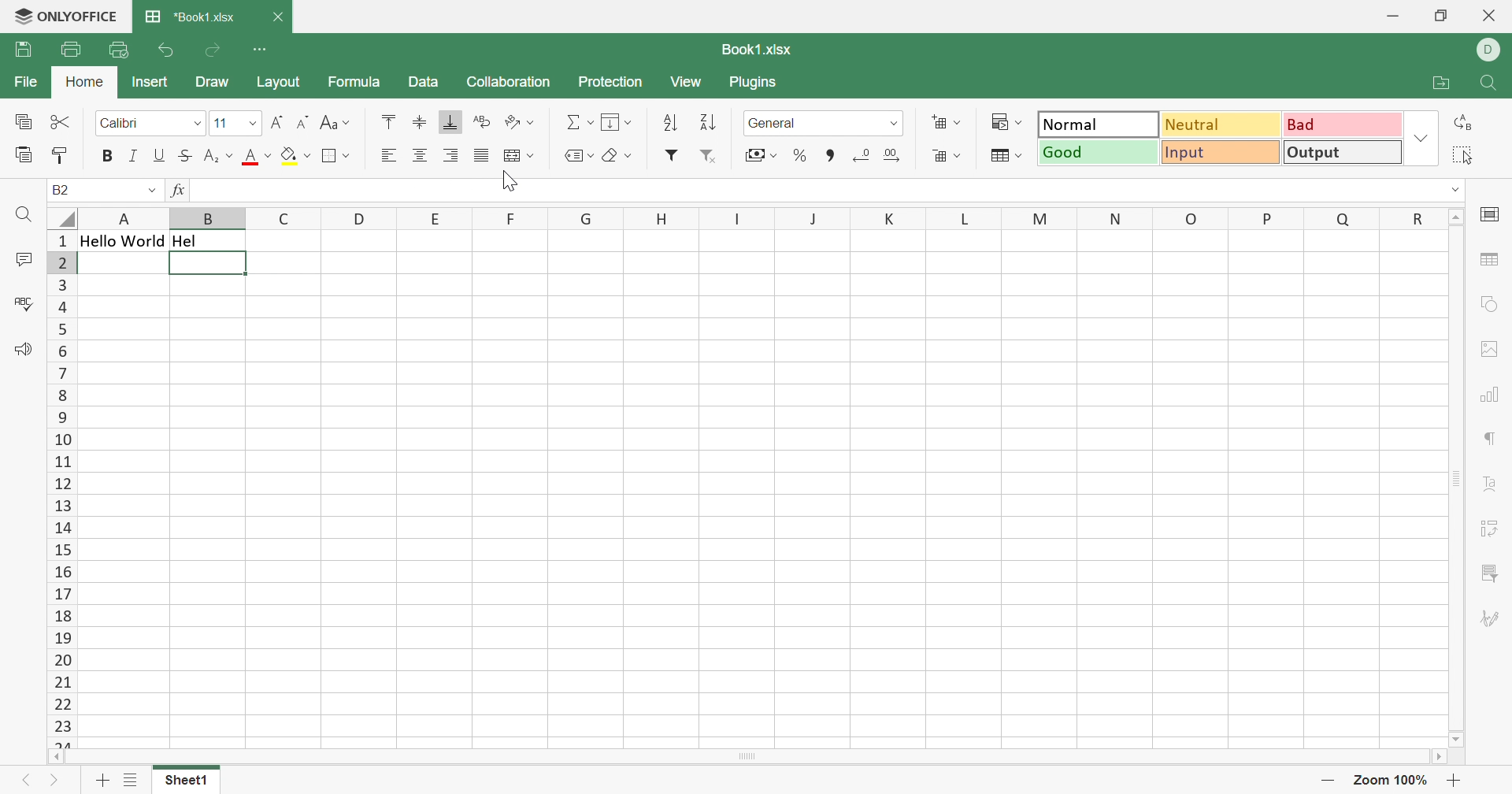 The width and height of the screenshot is (1512, 794). I want to click on Feedback & Support, so click(24, 350).